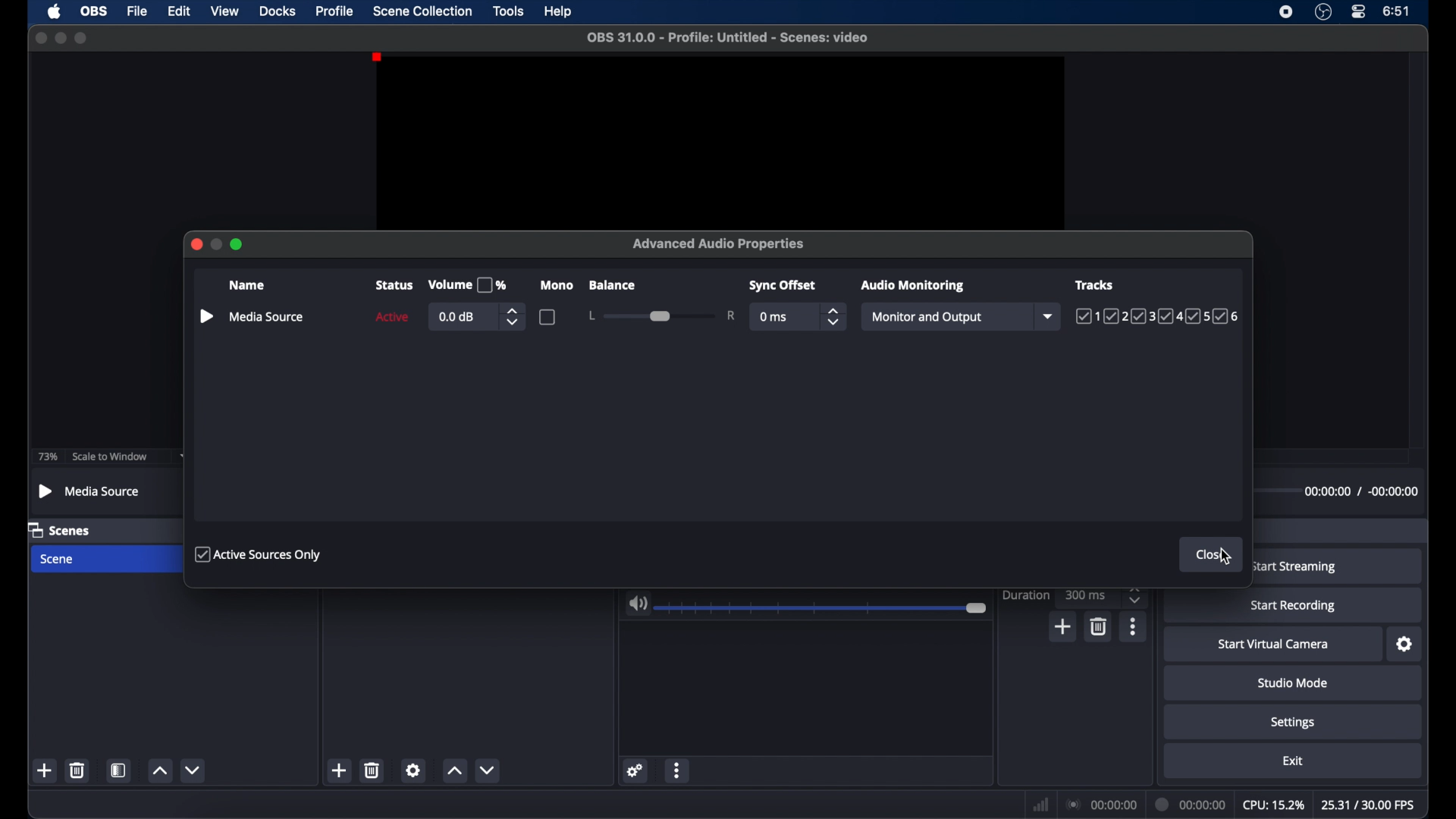 The width and height of the screenshot is (1456, 819). I want to click on obs, so click(96, 12).